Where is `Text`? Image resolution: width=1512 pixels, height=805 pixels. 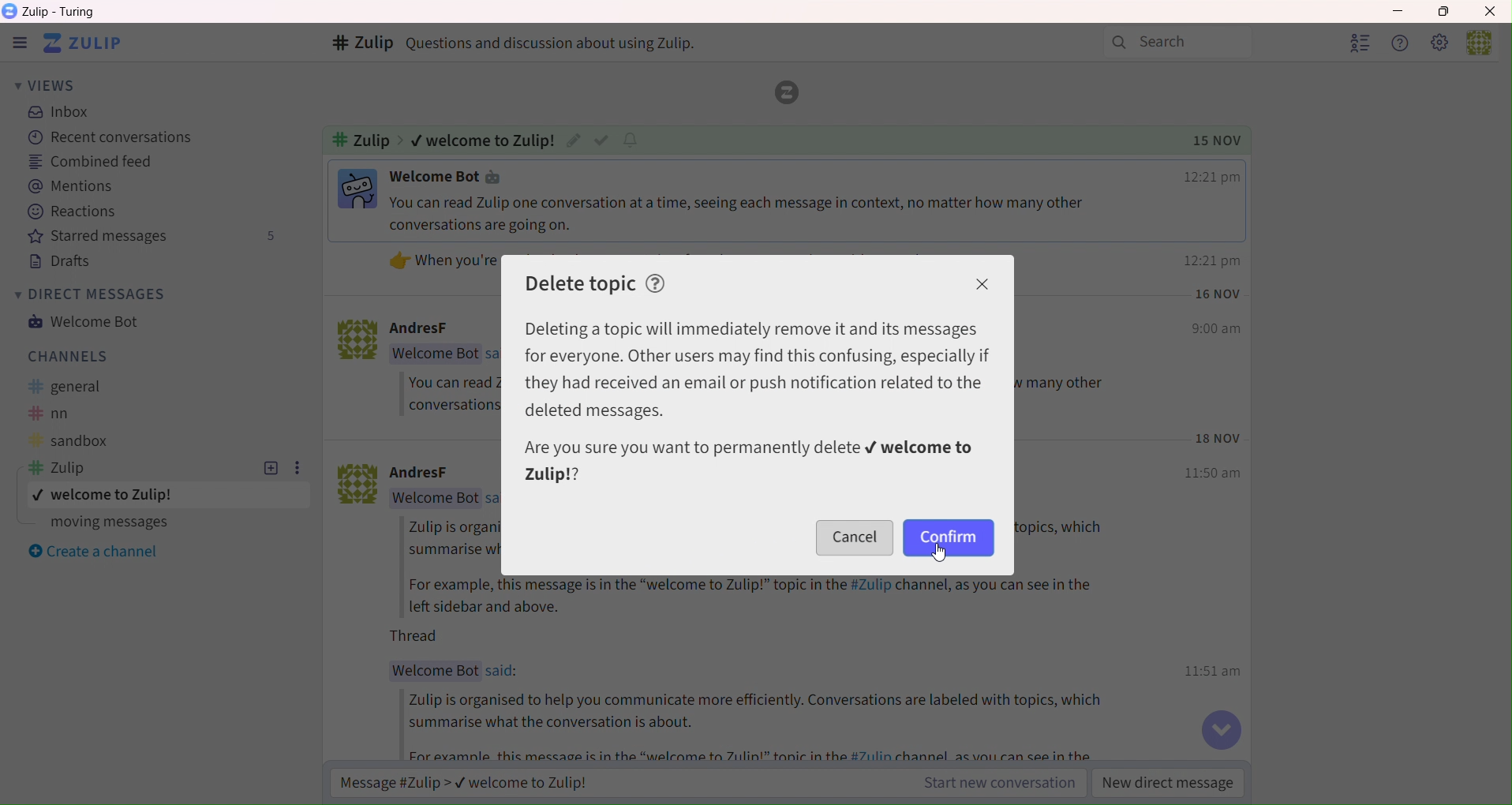
Text is located at coordinates (77, 386).